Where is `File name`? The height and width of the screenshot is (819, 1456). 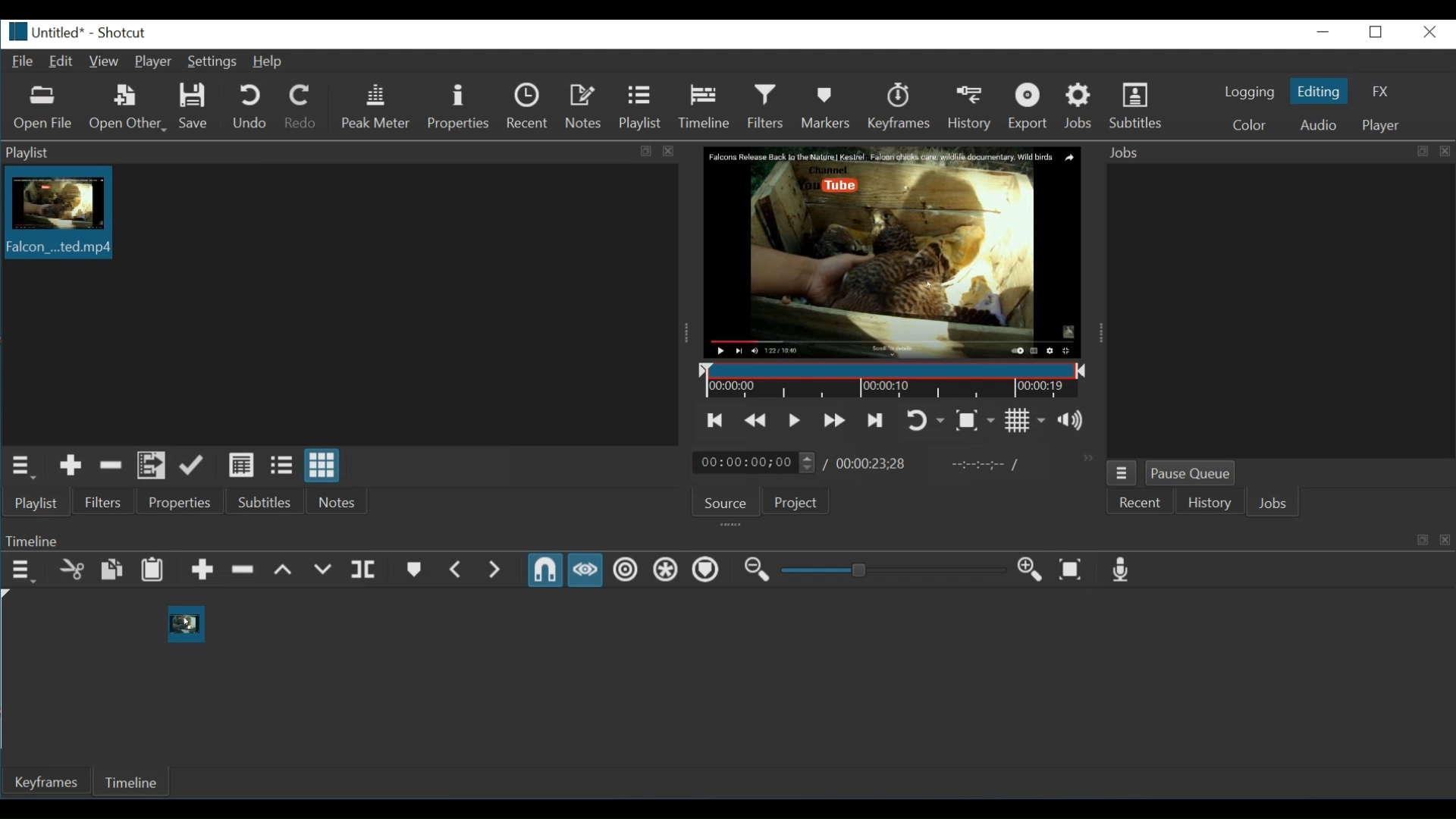 File name is located at coordinates (45, 33).